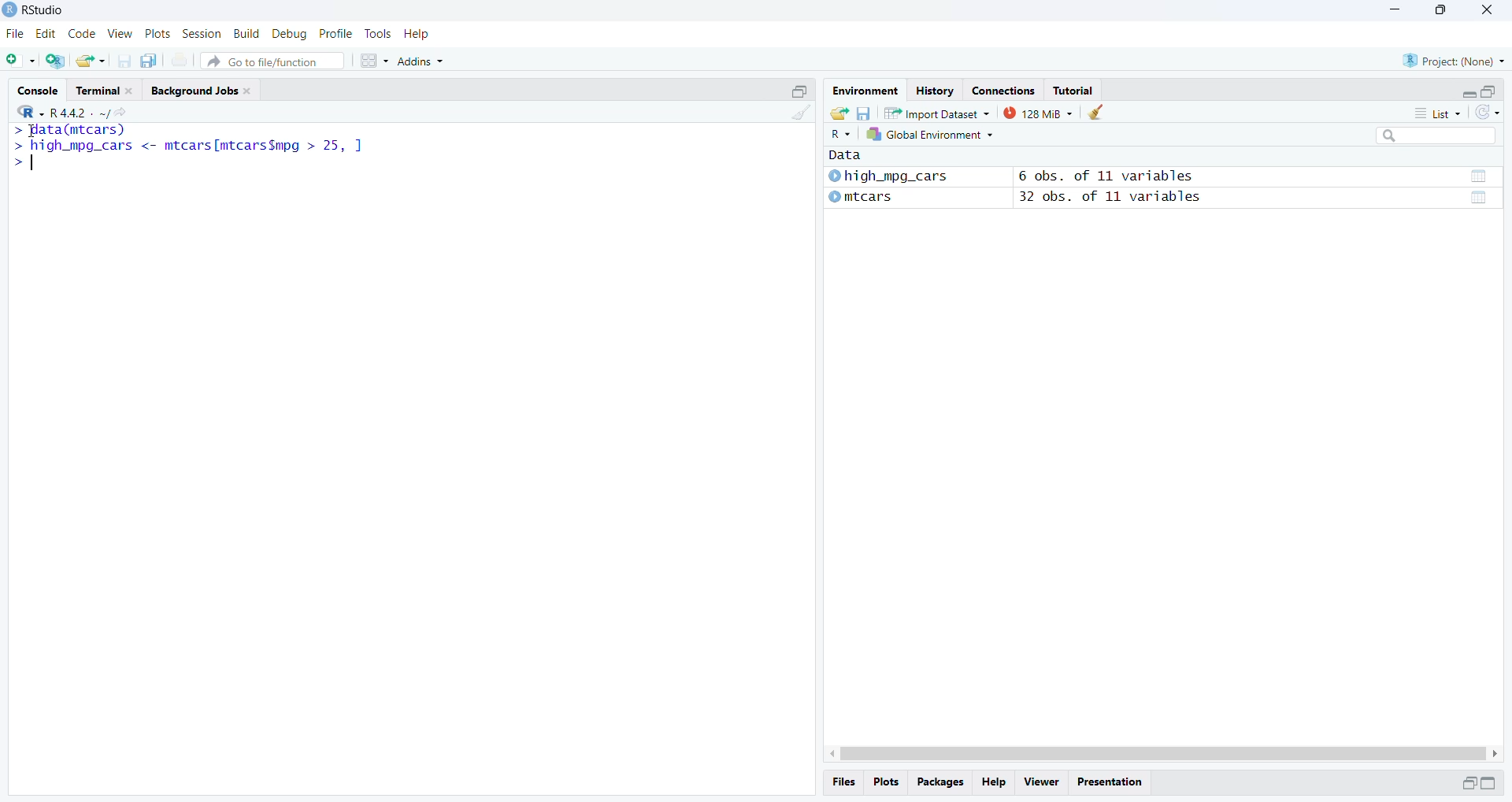 This screenshot has height=802, width=1512. Describe the element at coordinates (151, 61) in the screenshot. I see `save all open document` at that location.